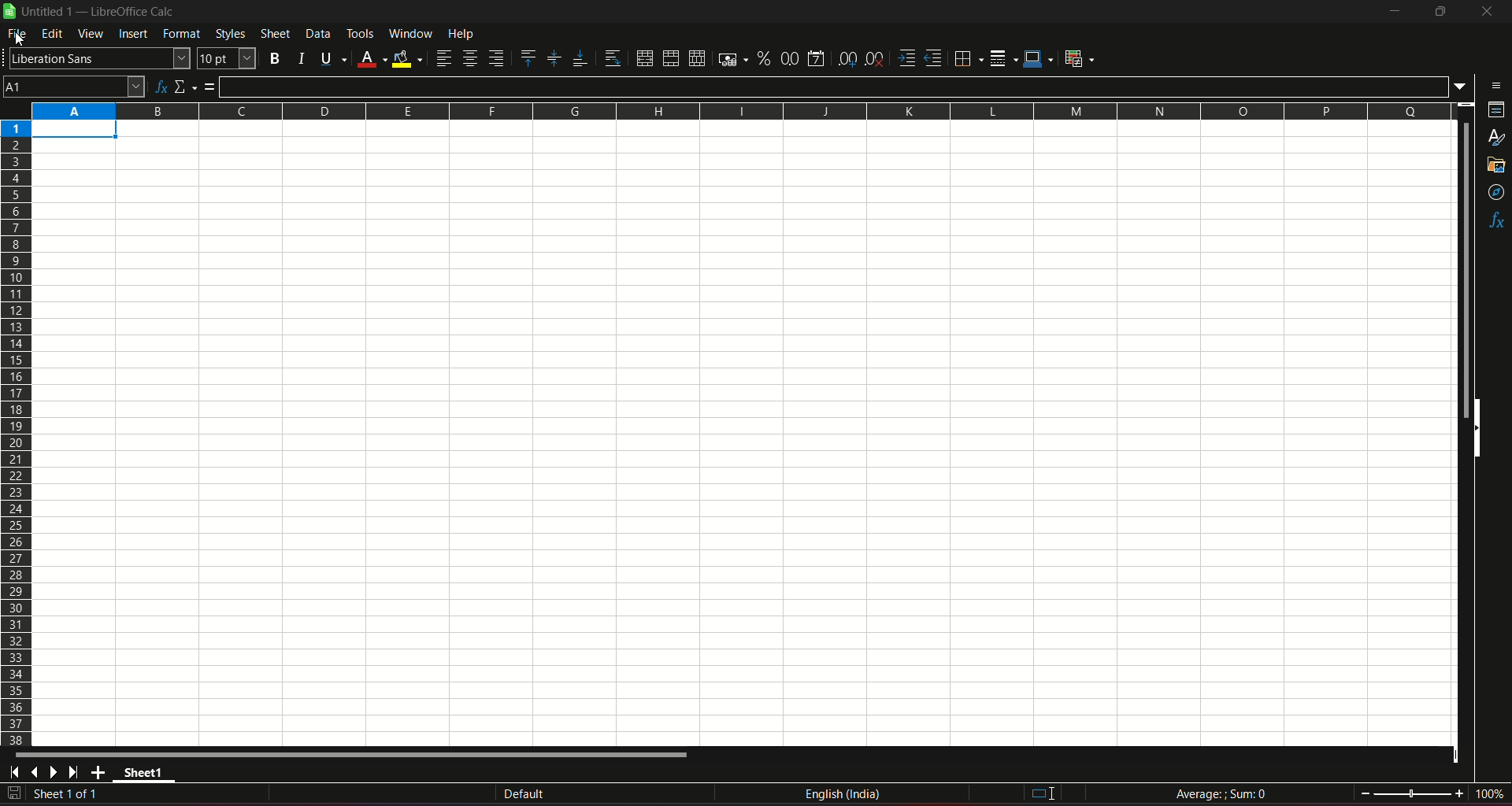  I want to click on border color, so click(1039, 60).